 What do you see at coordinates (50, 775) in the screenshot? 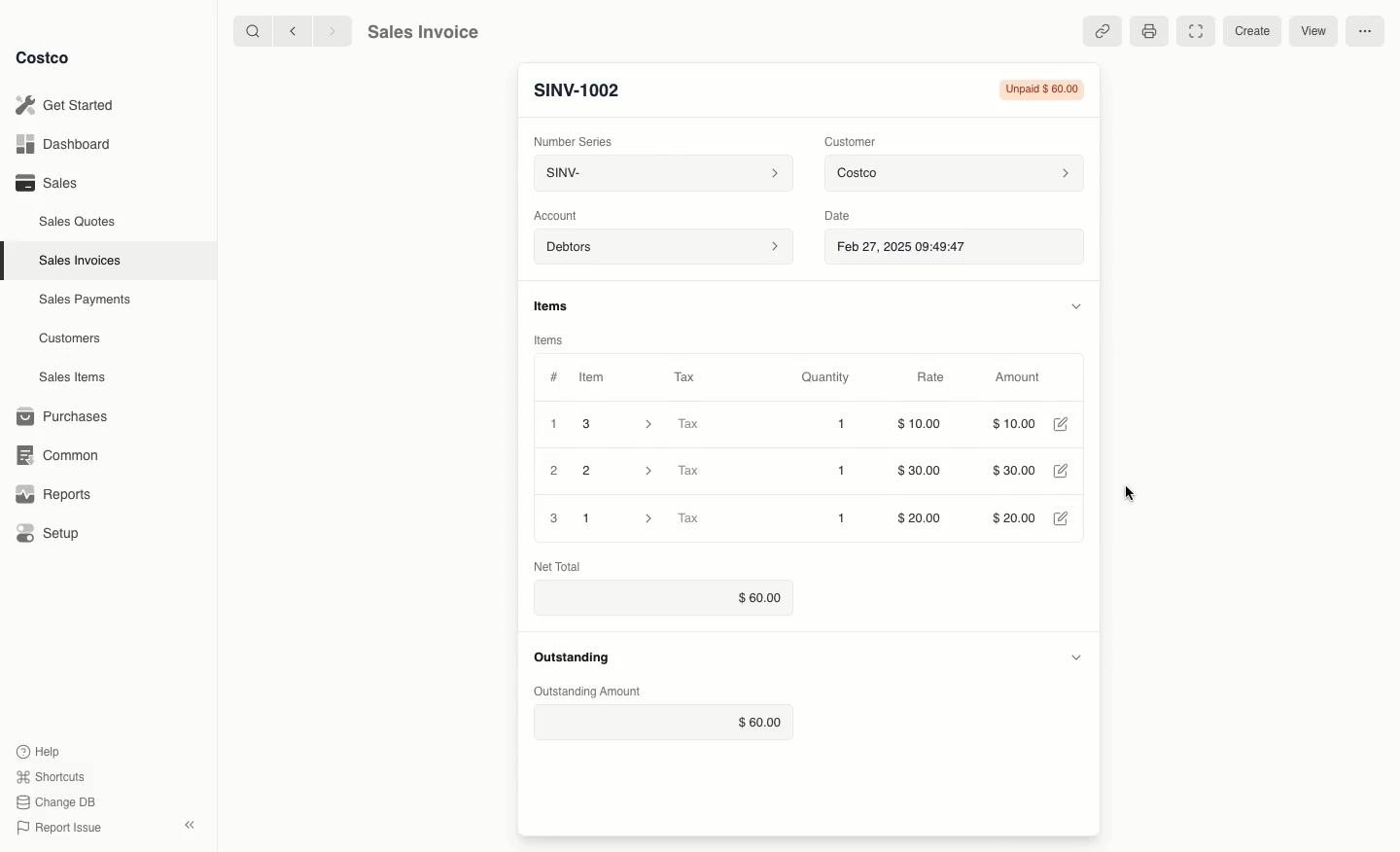
I see `Shortcuts` at bounding box center [50, 775].